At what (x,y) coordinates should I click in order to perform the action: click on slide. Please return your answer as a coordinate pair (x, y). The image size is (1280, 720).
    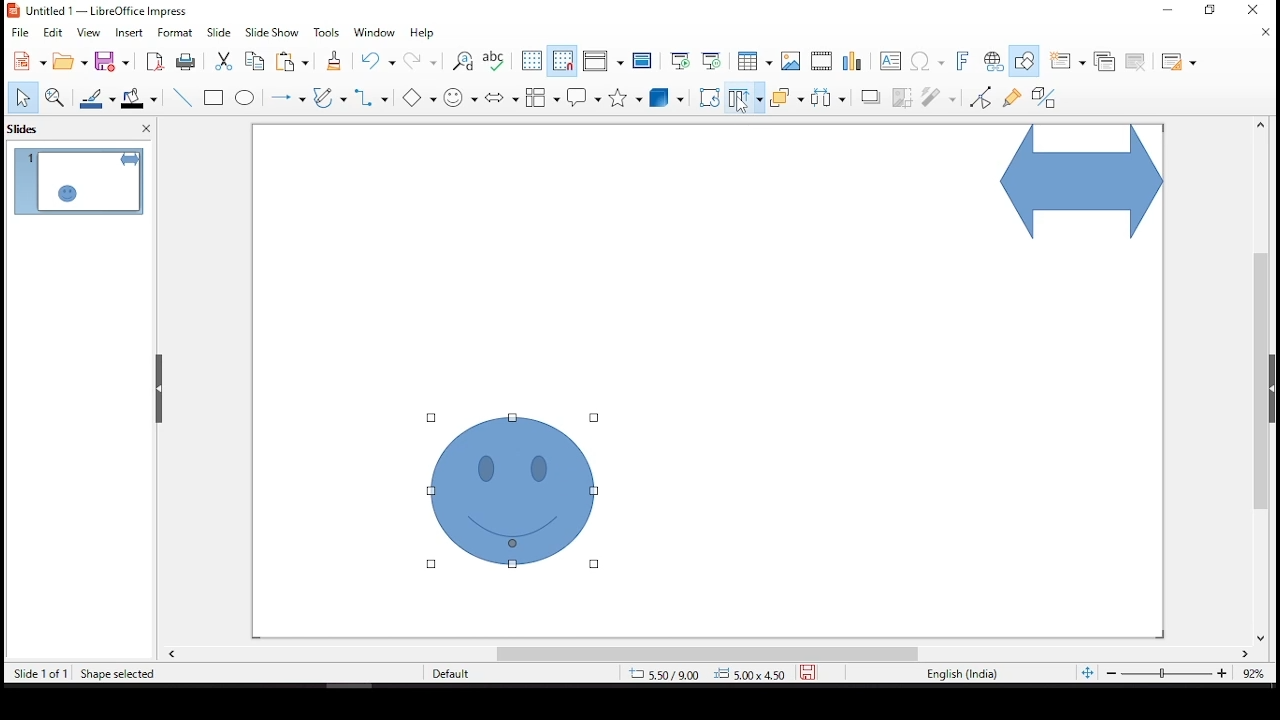
    Looking at the image, I should click on (219, 32).